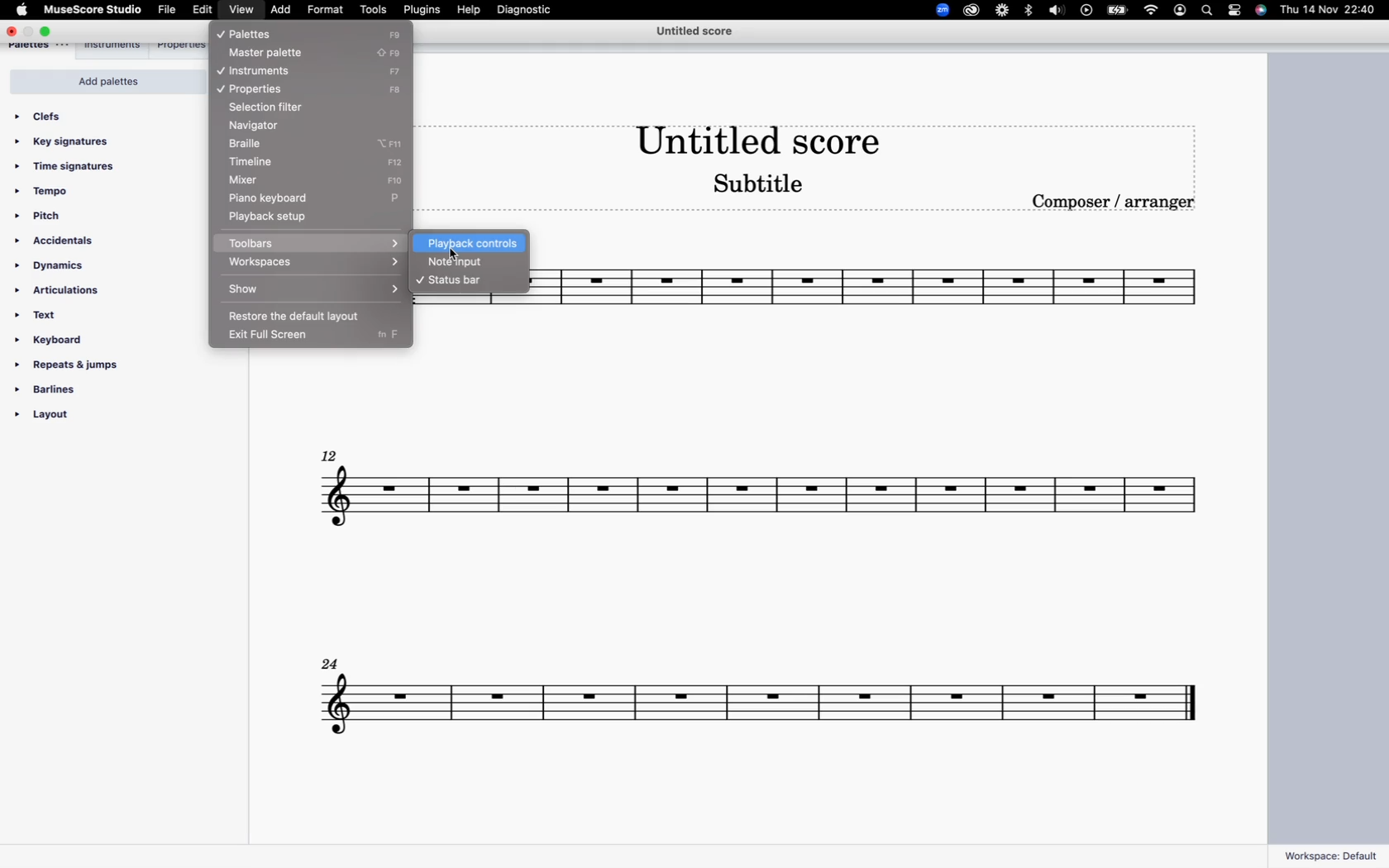 The width and height of the screenshot is (1389, 868). What do you see at coordinates (472, 12) in the screenshot?
I see `help` at bounding box center [472, 12].